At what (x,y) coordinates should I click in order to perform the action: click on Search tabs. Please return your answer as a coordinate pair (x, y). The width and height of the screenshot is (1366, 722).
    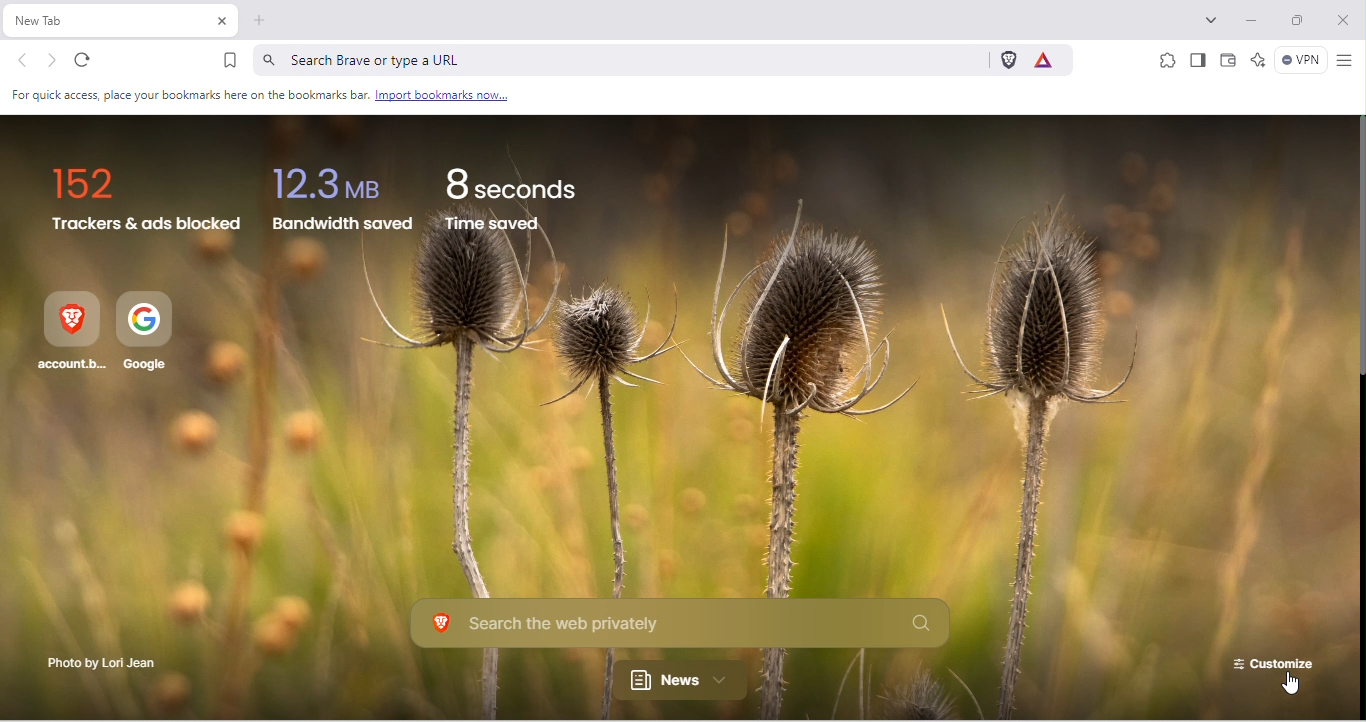
    Looking at the image, I should click on (1215, 18).